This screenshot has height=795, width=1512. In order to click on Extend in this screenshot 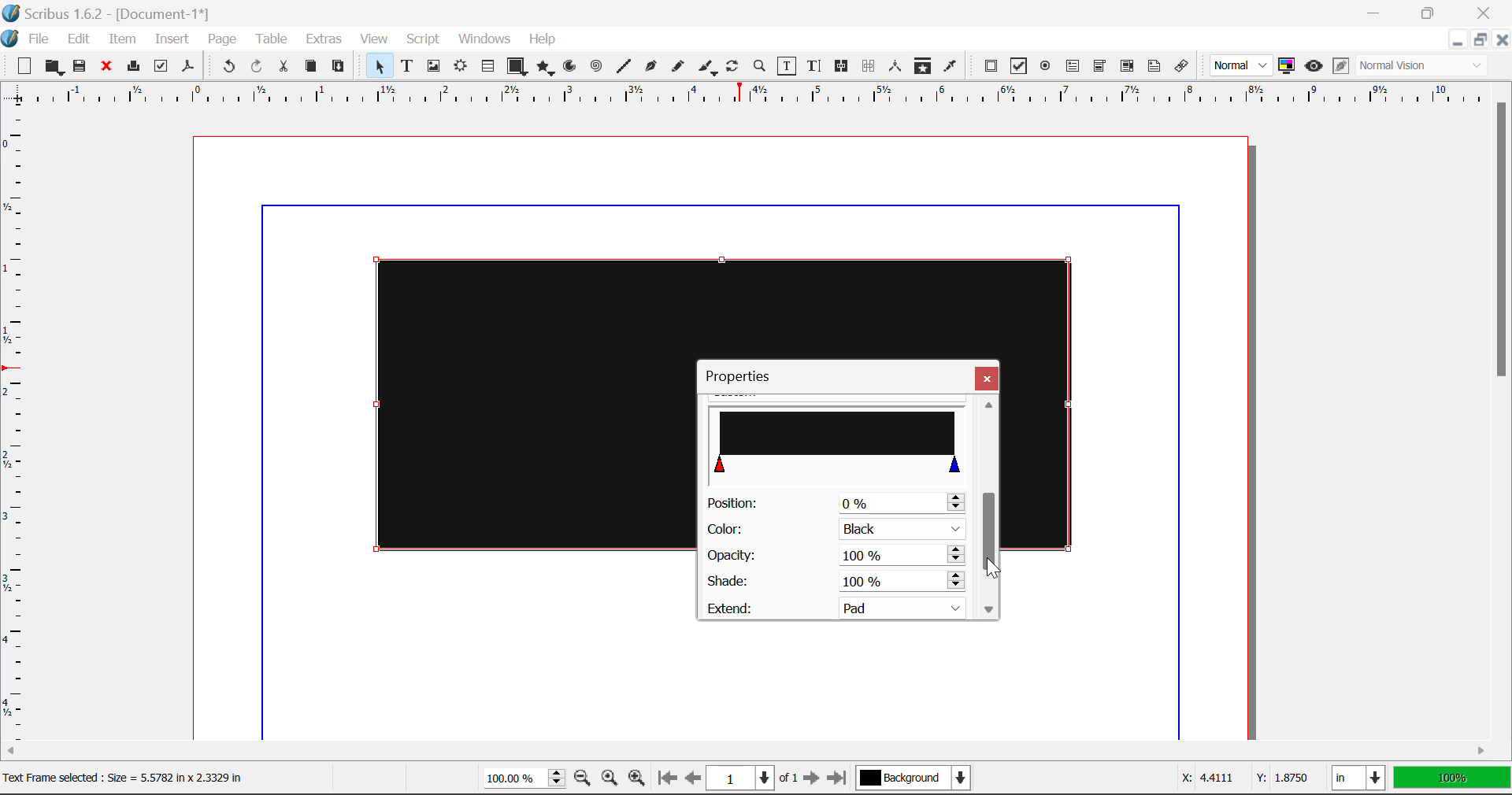, I will do `click(841, 606)`.